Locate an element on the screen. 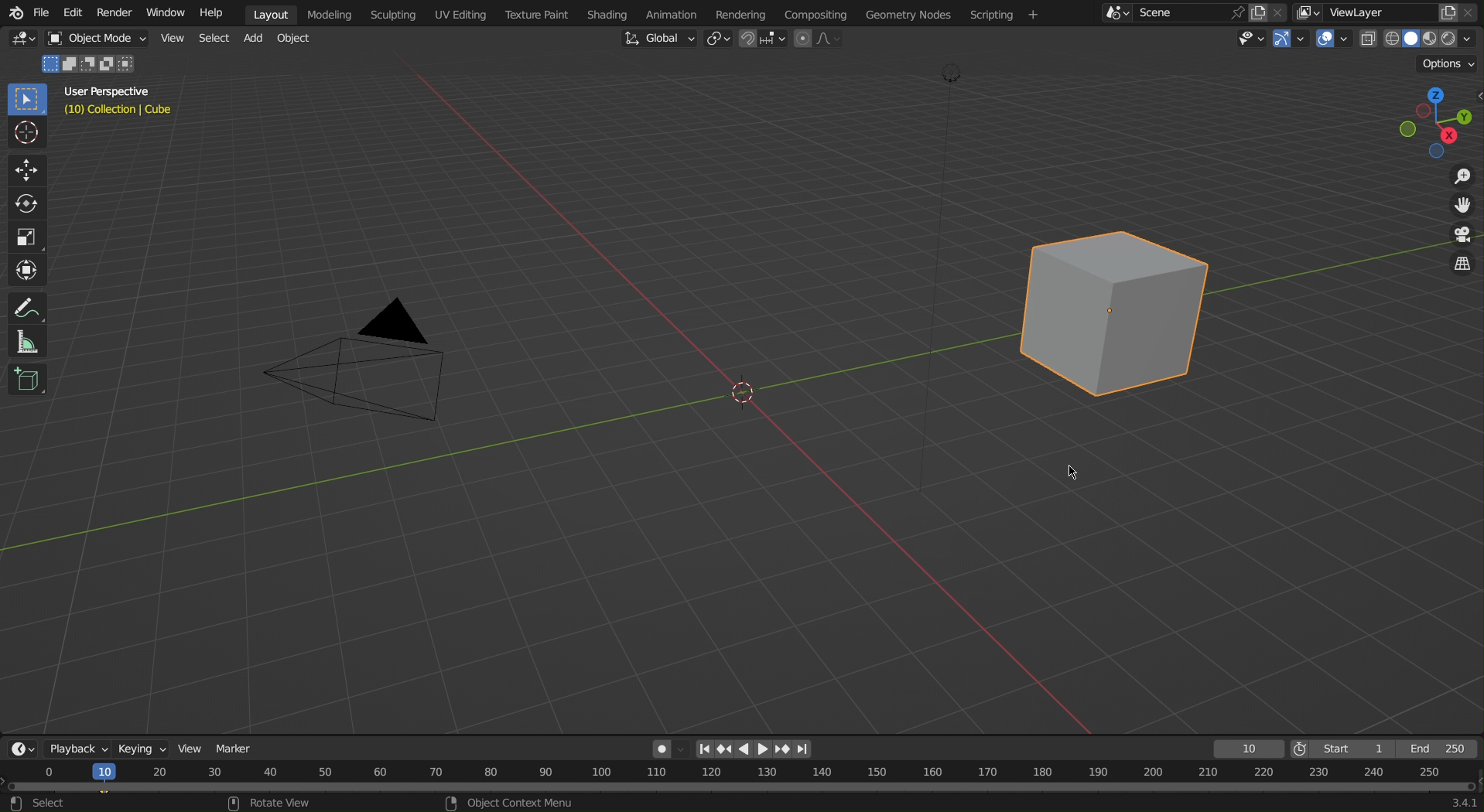 This screenshot has height=812, width=1484. Types of objects is located at coordinates (1246, 38).